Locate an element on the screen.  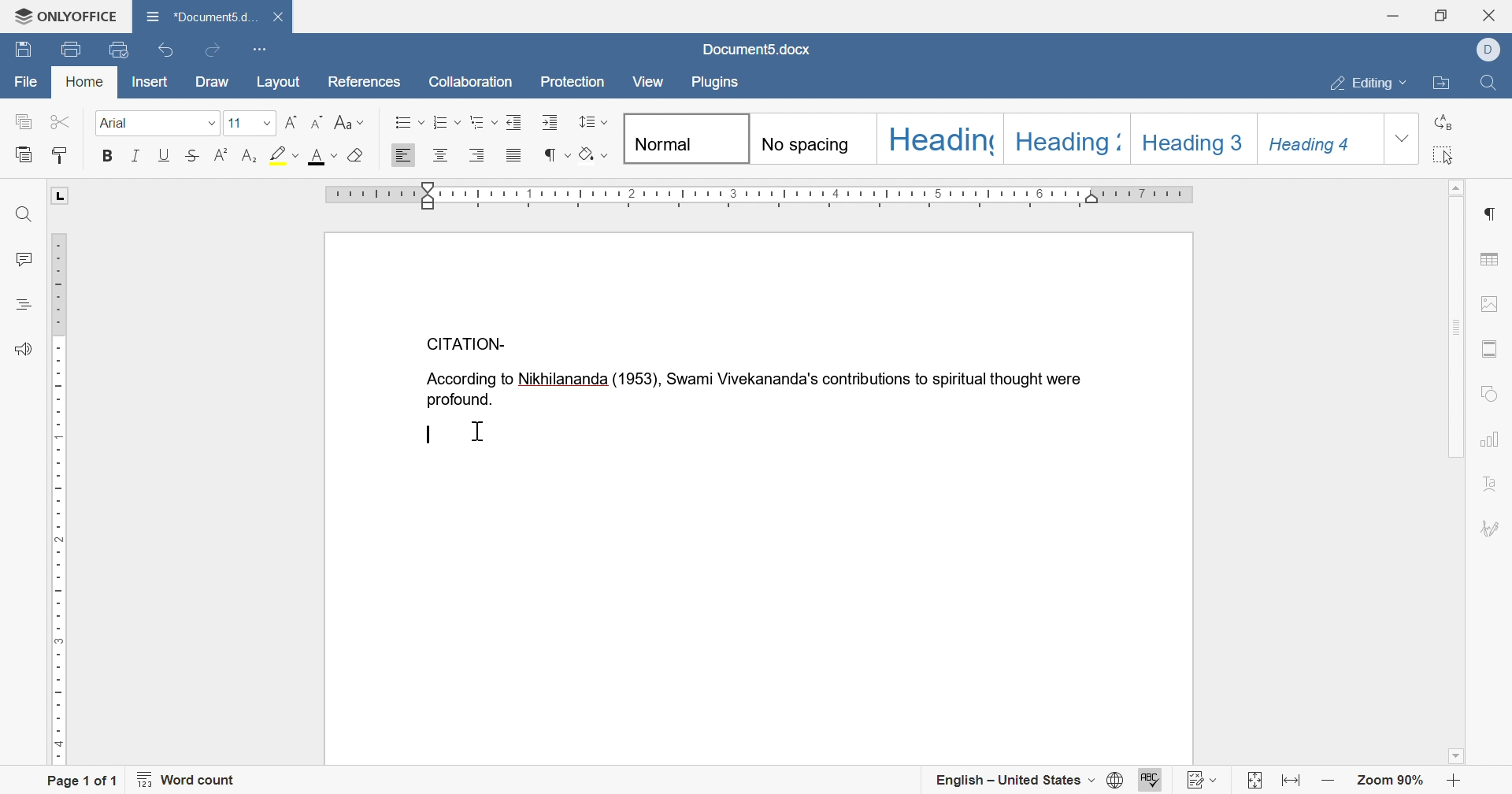
copy style is located at coordinates (56, 157).